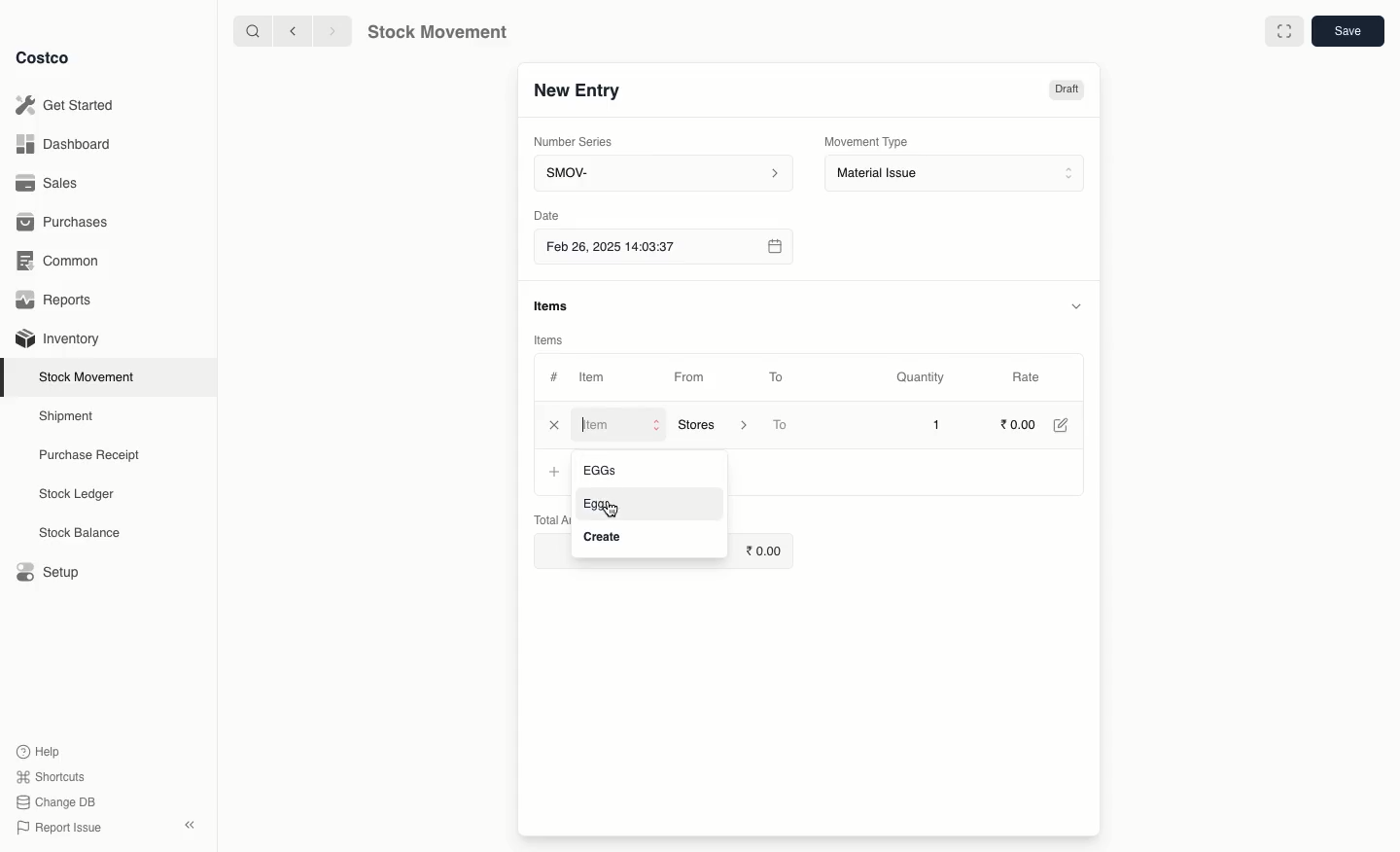  I want to click on Item, so click(602, 376).